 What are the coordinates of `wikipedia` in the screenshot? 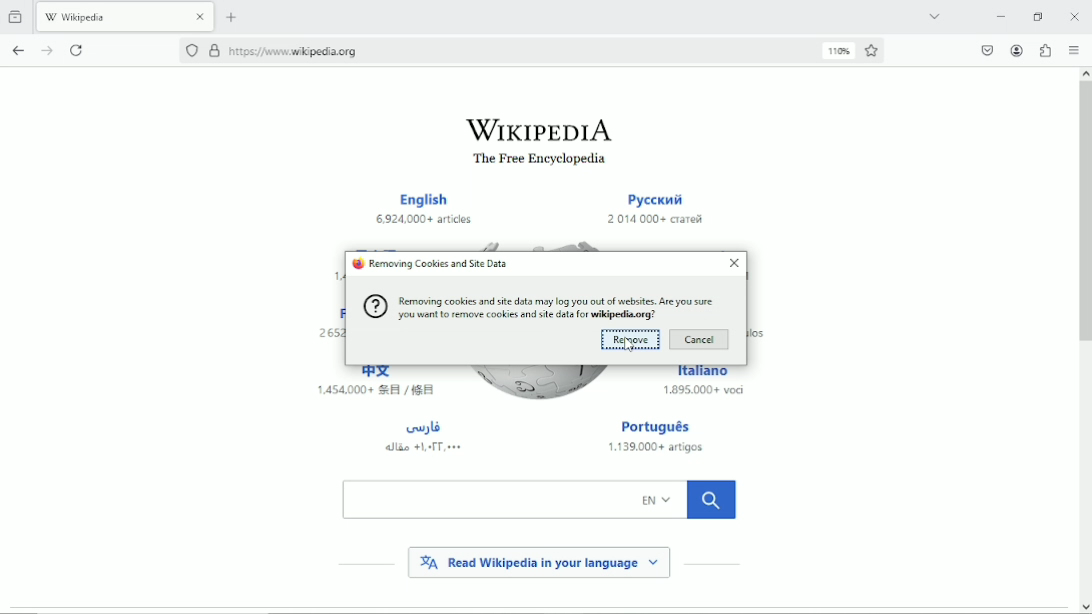 It's located at (538, 129).